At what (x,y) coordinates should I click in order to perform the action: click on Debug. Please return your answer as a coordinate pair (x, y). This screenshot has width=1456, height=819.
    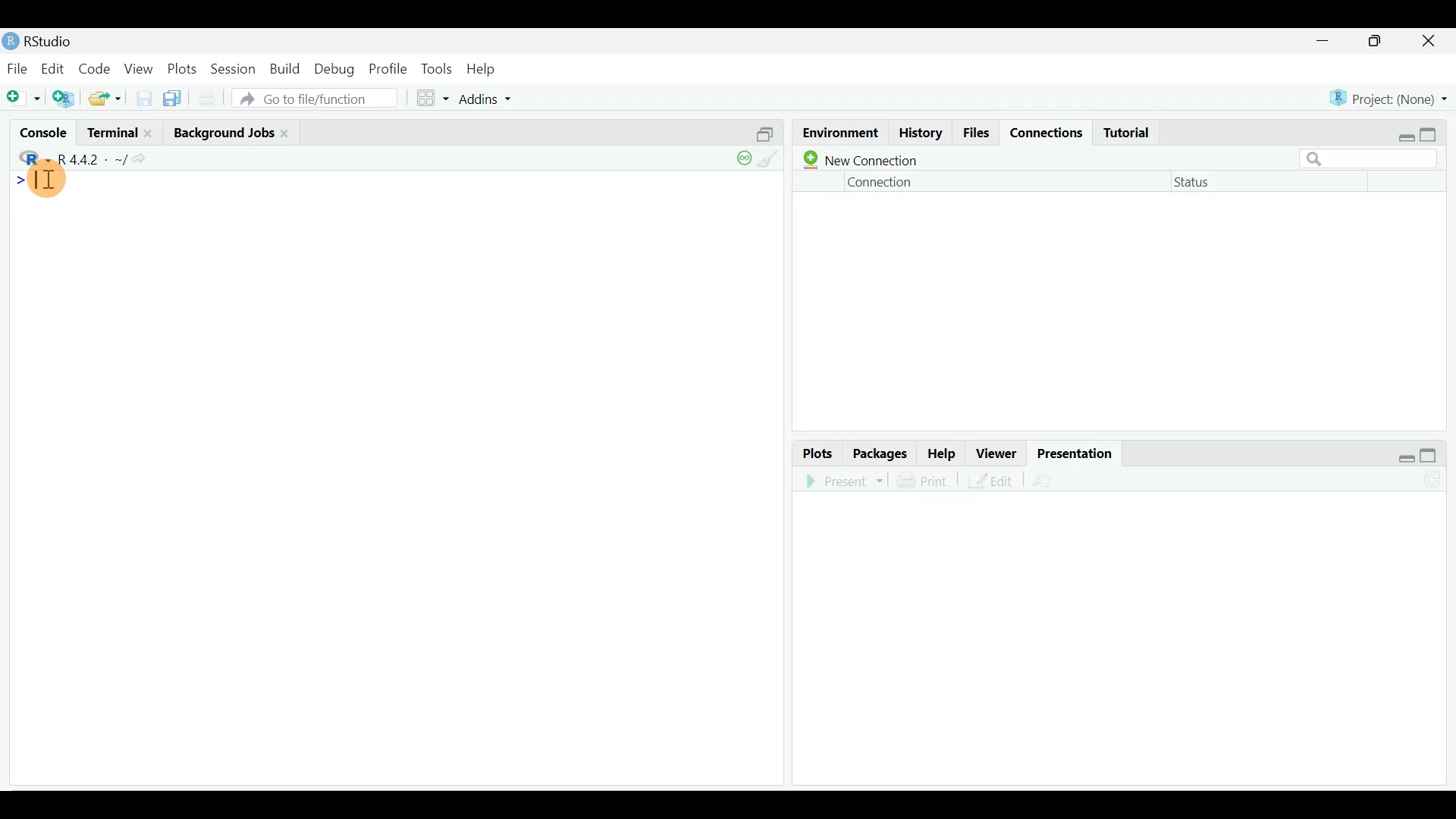
    Looking at the image, I should click on (337, 67).